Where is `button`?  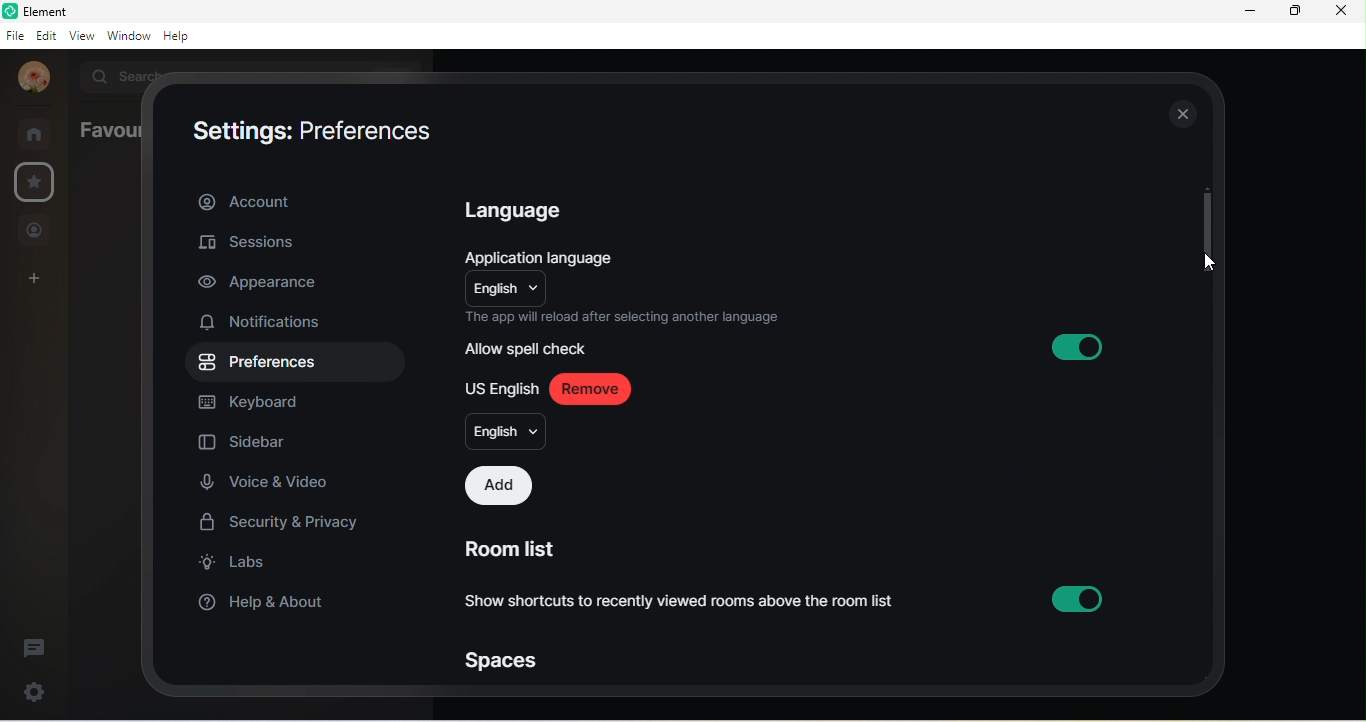
button is located at coordinates (1080, 597).